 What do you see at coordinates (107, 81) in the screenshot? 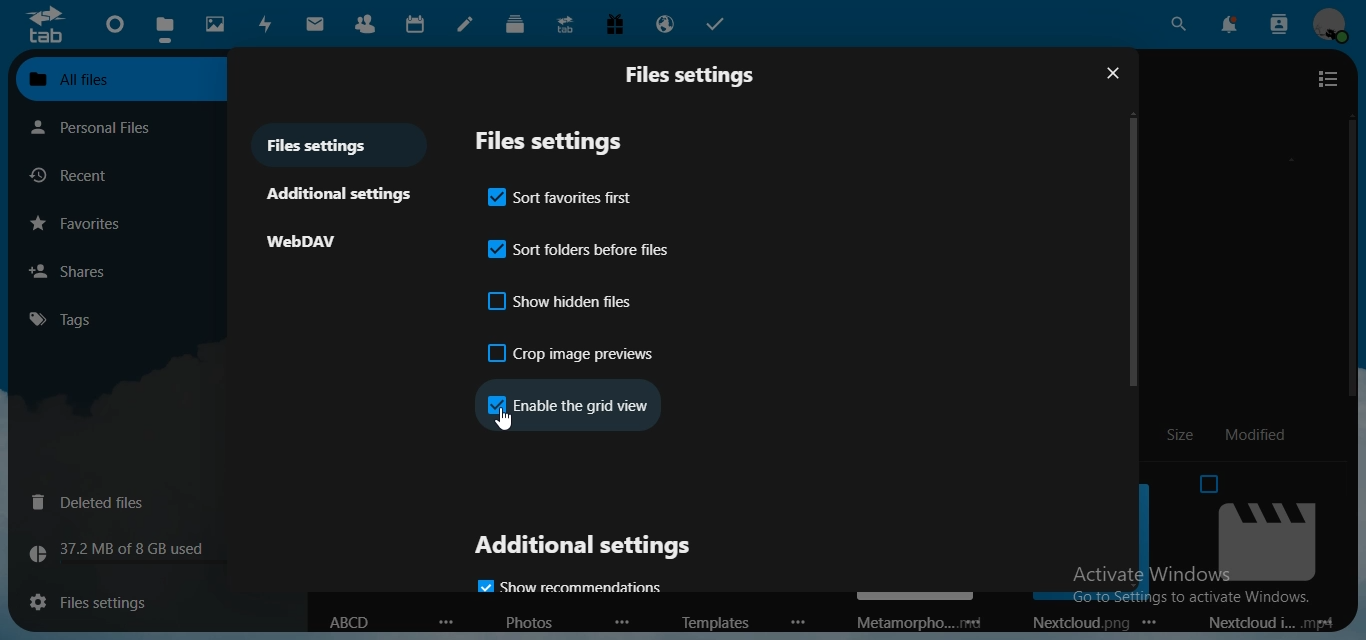
I see `all files` at bounding box center [107, 81].